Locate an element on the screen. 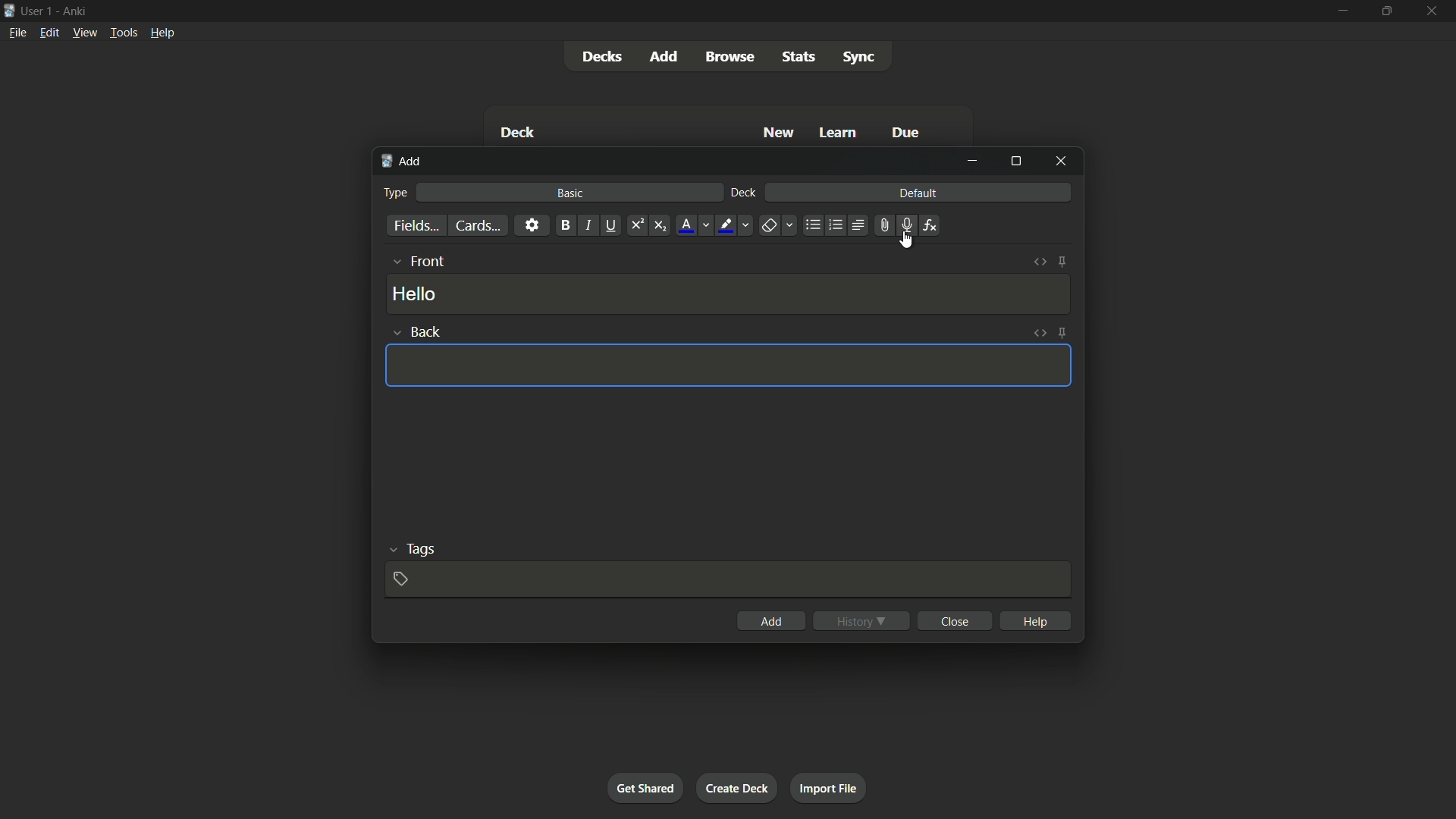 Image resolution: width=1456 pixels, height=819 pixels. settings is located at coordinates (532, 224).